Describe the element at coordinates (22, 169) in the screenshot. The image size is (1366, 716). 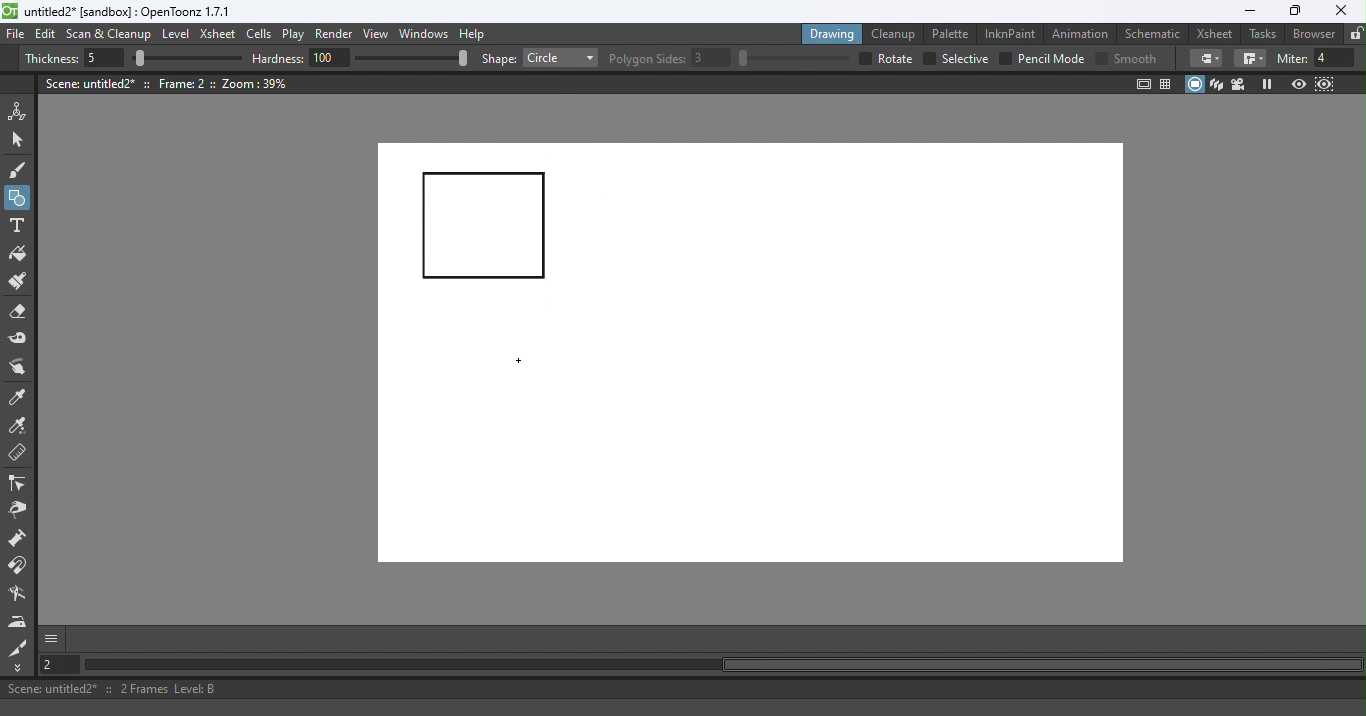
I see `Brush tool` at that location.